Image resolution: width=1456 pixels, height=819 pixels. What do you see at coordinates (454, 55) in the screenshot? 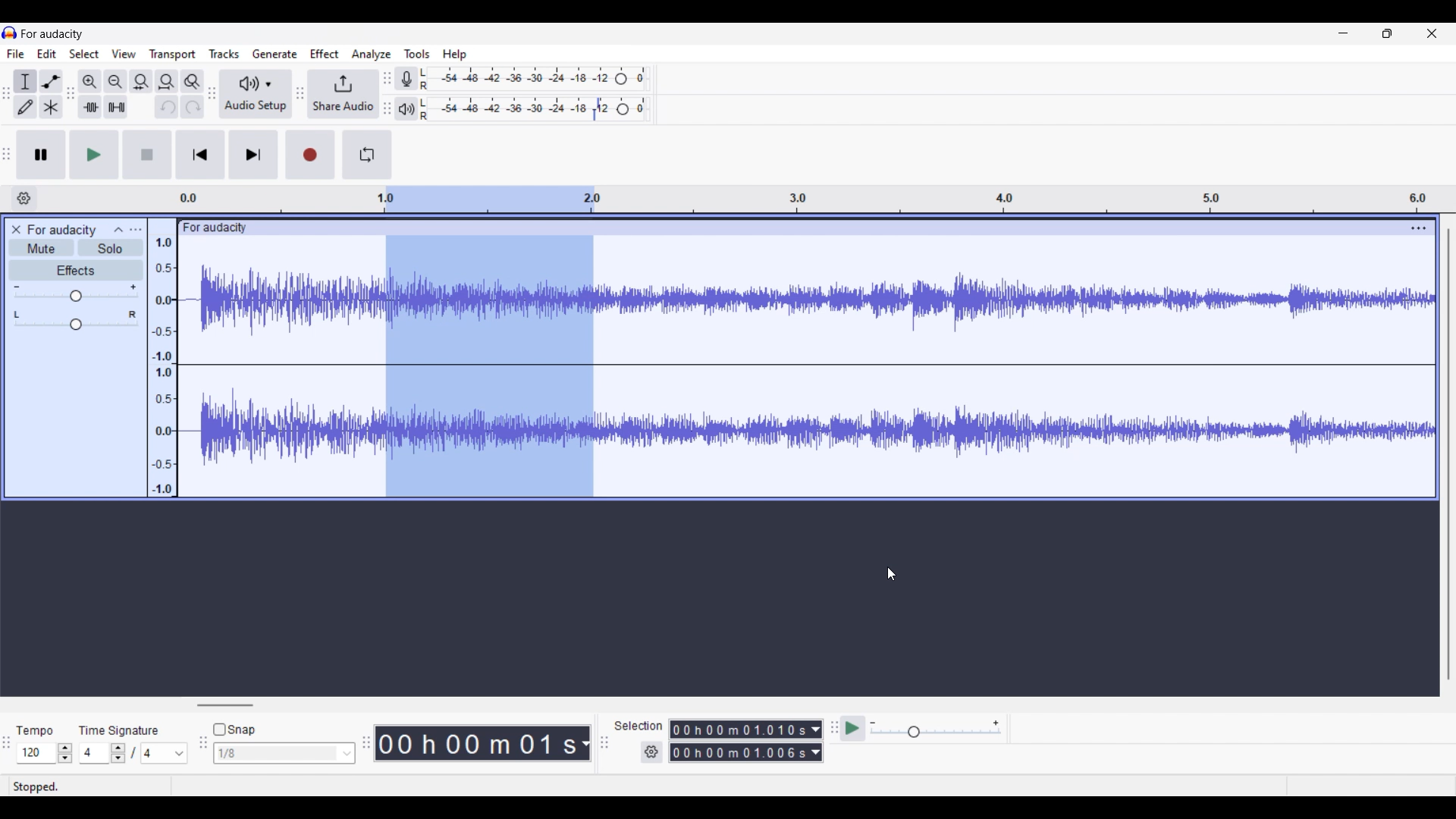
I see `Help menu` at bounding box center [454, 55].